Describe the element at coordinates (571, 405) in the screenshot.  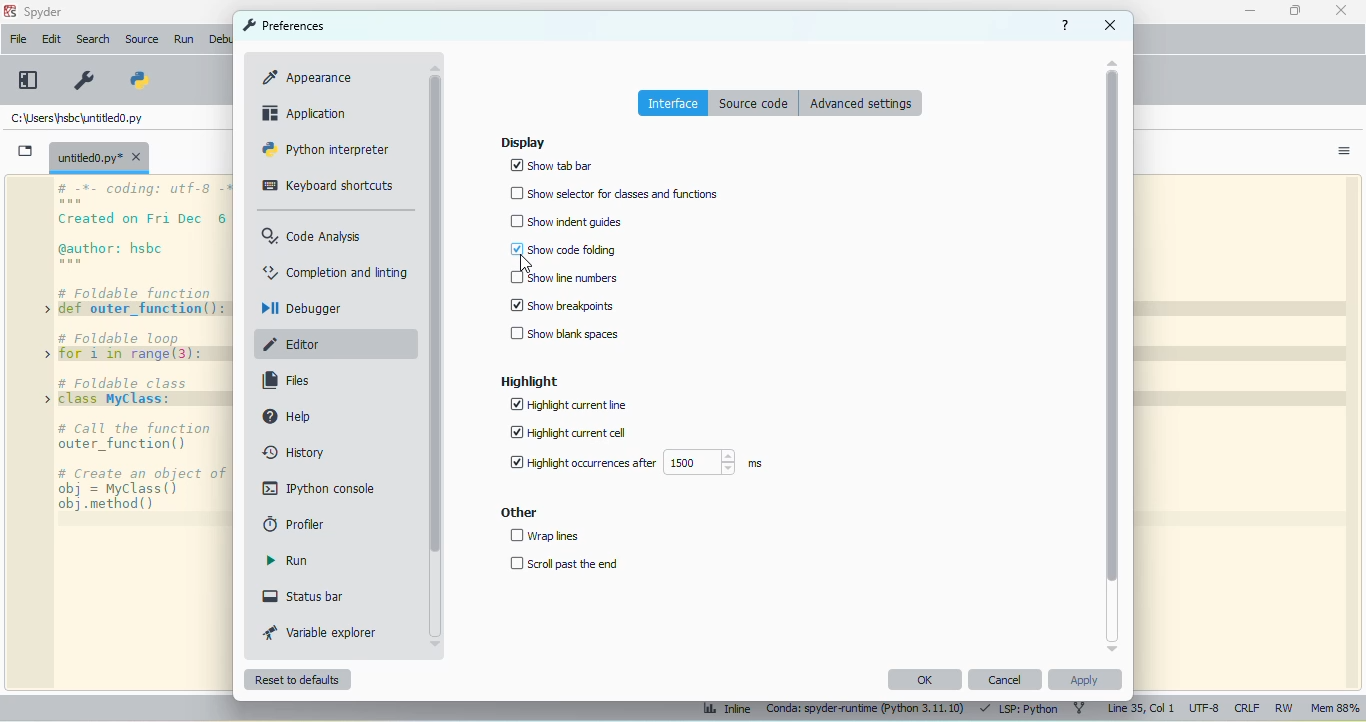
I see `highlight current line` at that location.